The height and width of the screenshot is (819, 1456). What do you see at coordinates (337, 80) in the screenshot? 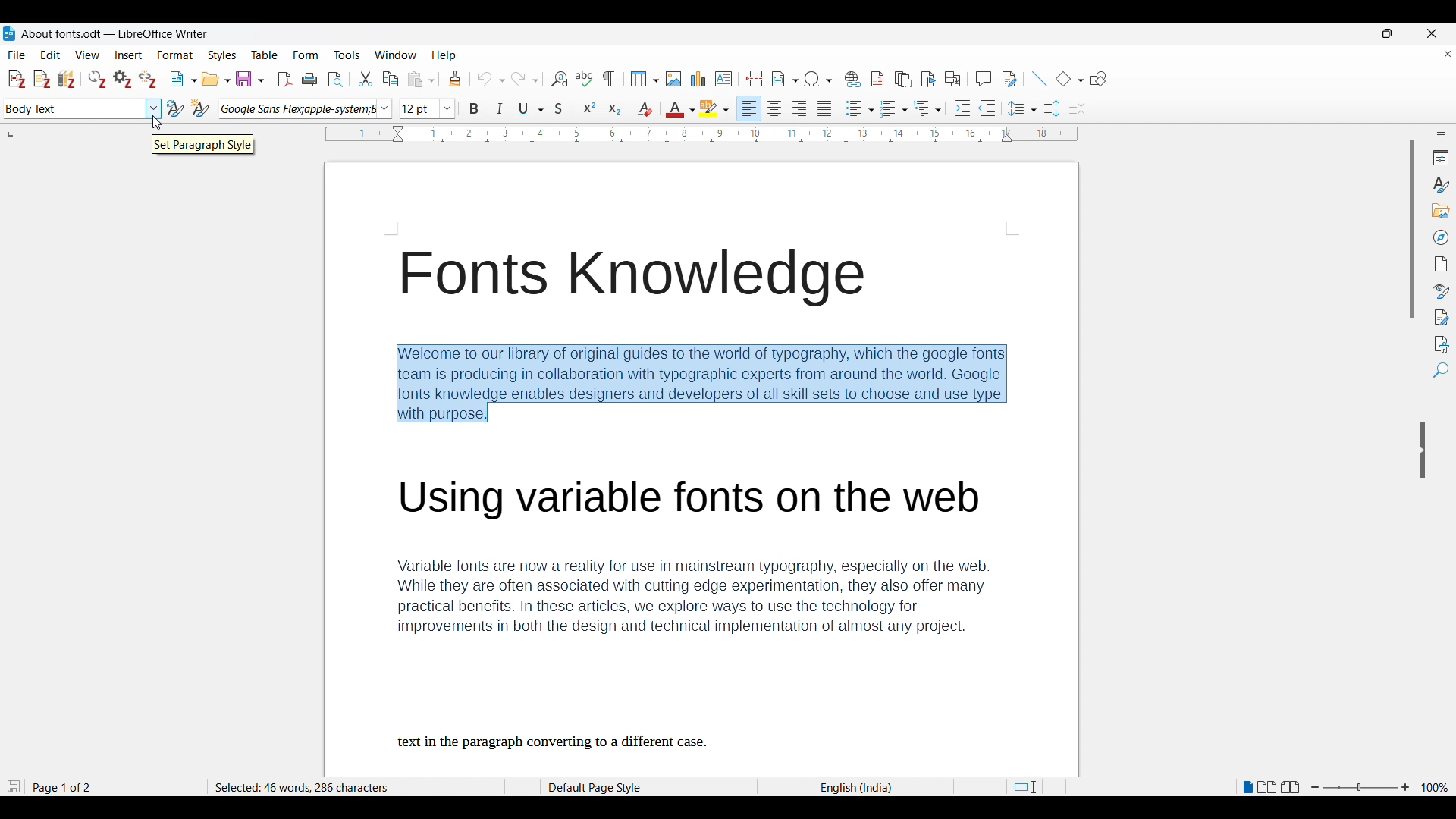
I see `Toggle print preview` at bounding box center [337, 80].